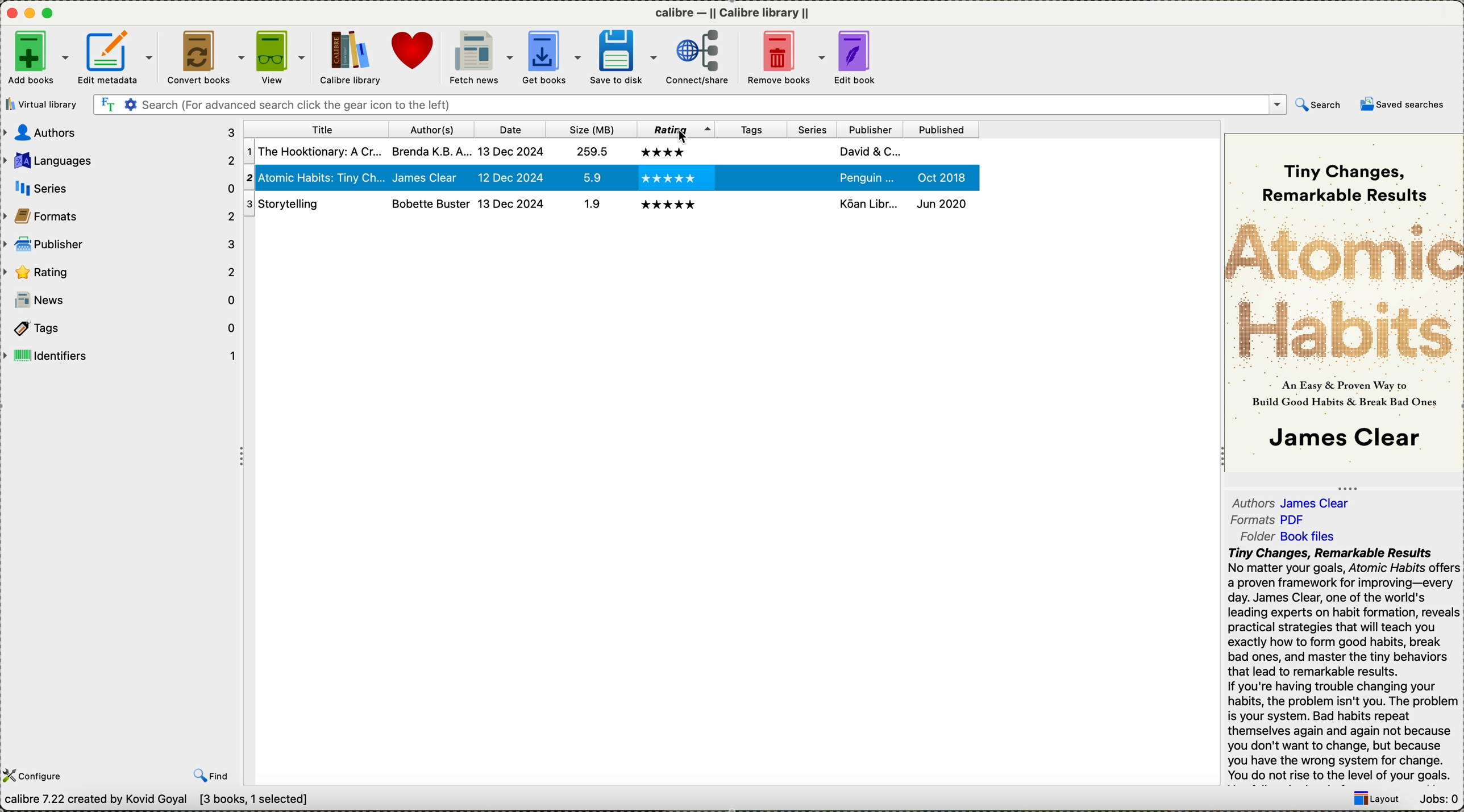 Image resolution: width=1464 pixels, height=812 pixels. What do you see at coordinates (1253, 502) in the screenshot?
I see `Authors` at bounding box center [1253, 502].